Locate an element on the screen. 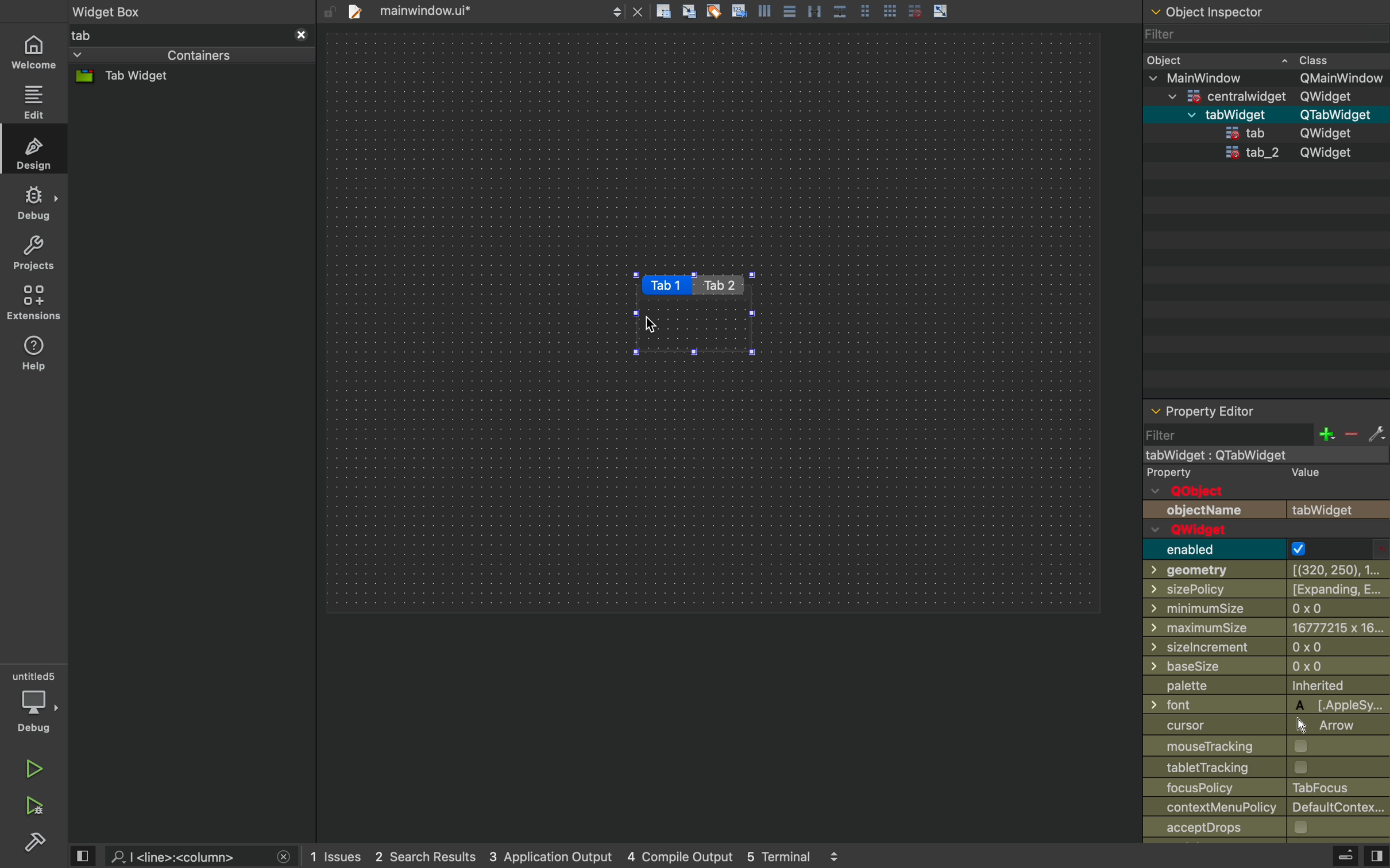 This screenshot has width=1390, height=868. font is located at coordinates (1266, 706).